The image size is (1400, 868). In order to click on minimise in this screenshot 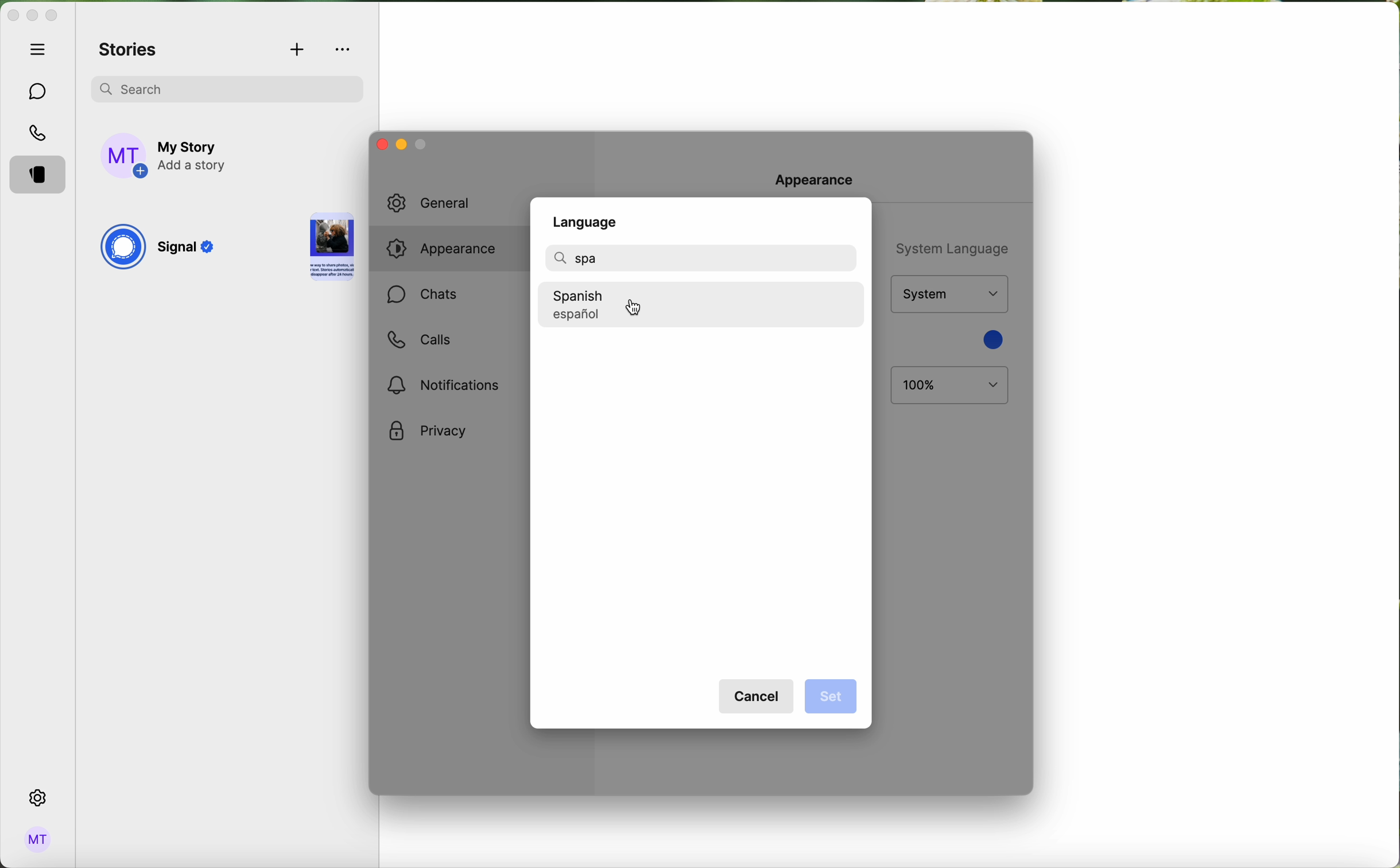, I will do `click(422, 147)`.